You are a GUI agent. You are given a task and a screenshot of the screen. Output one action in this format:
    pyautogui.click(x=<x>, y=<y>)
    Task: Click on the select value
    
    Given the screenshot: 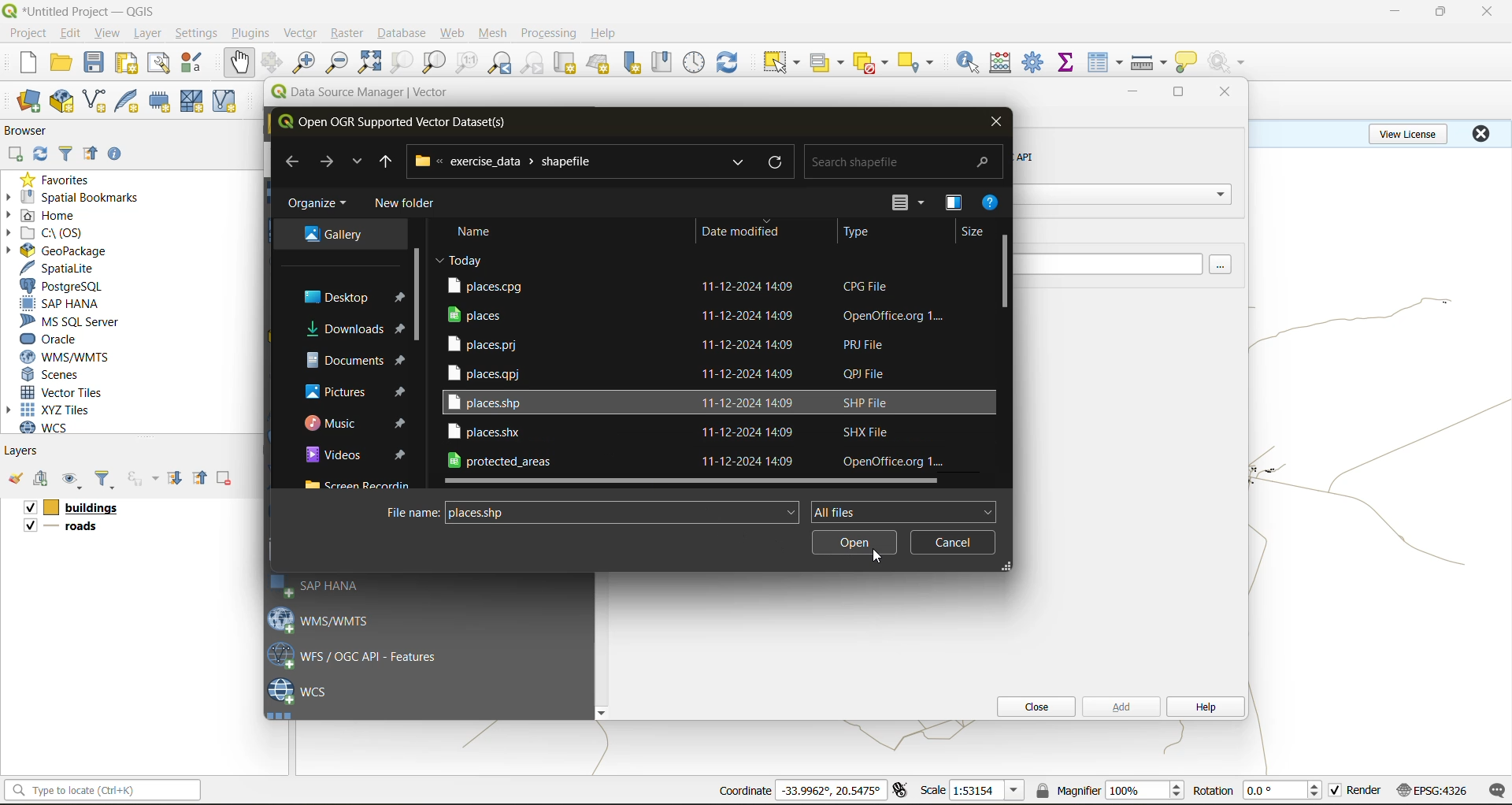 What is the action you would take?
    pyautogui.click(x=830, y=65)
    